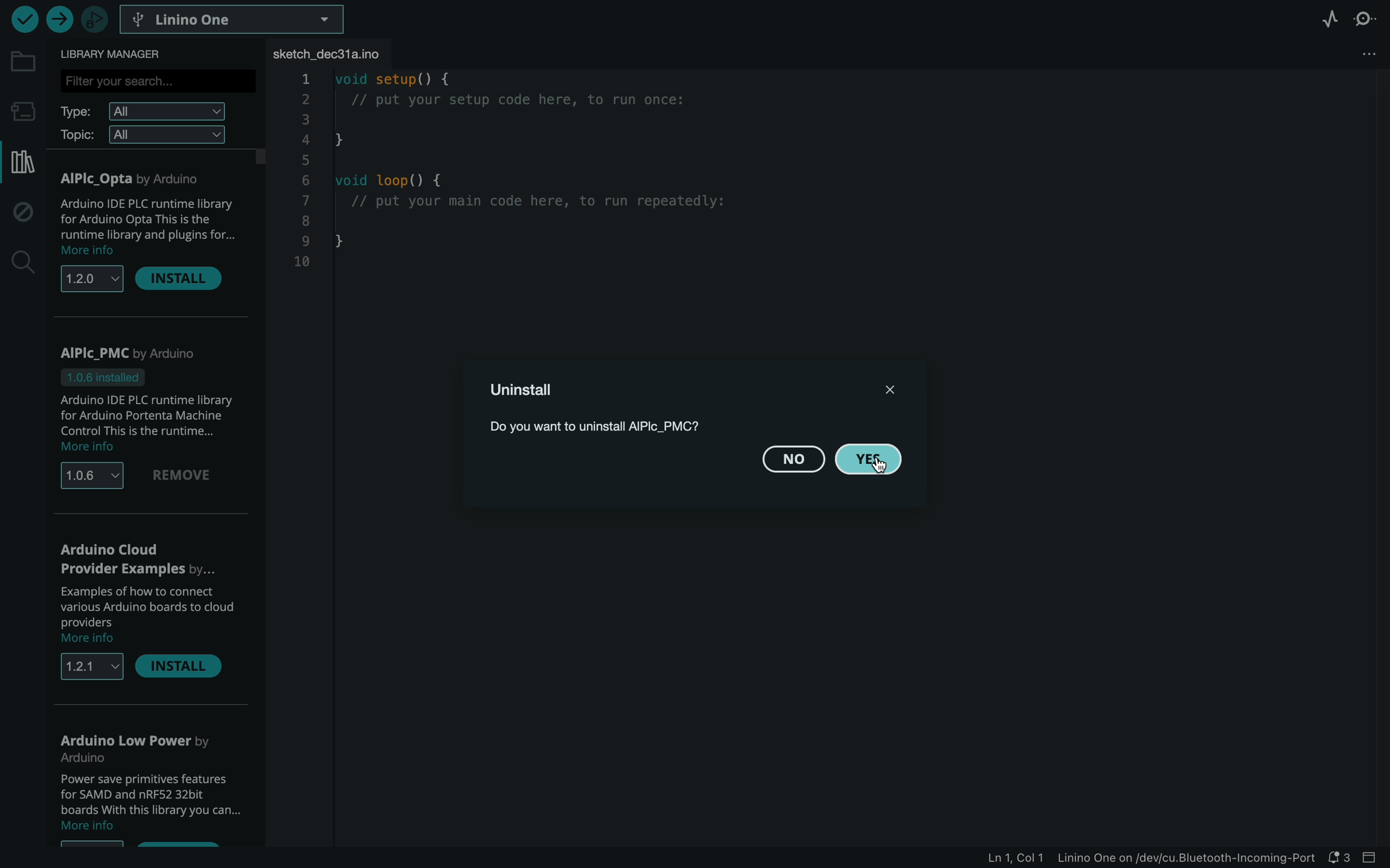 Image resolution: width=1390 pixels, height=868 pixels. Describe the element at coordinates (513, 173) in the screenshot. I see `code` at that location.